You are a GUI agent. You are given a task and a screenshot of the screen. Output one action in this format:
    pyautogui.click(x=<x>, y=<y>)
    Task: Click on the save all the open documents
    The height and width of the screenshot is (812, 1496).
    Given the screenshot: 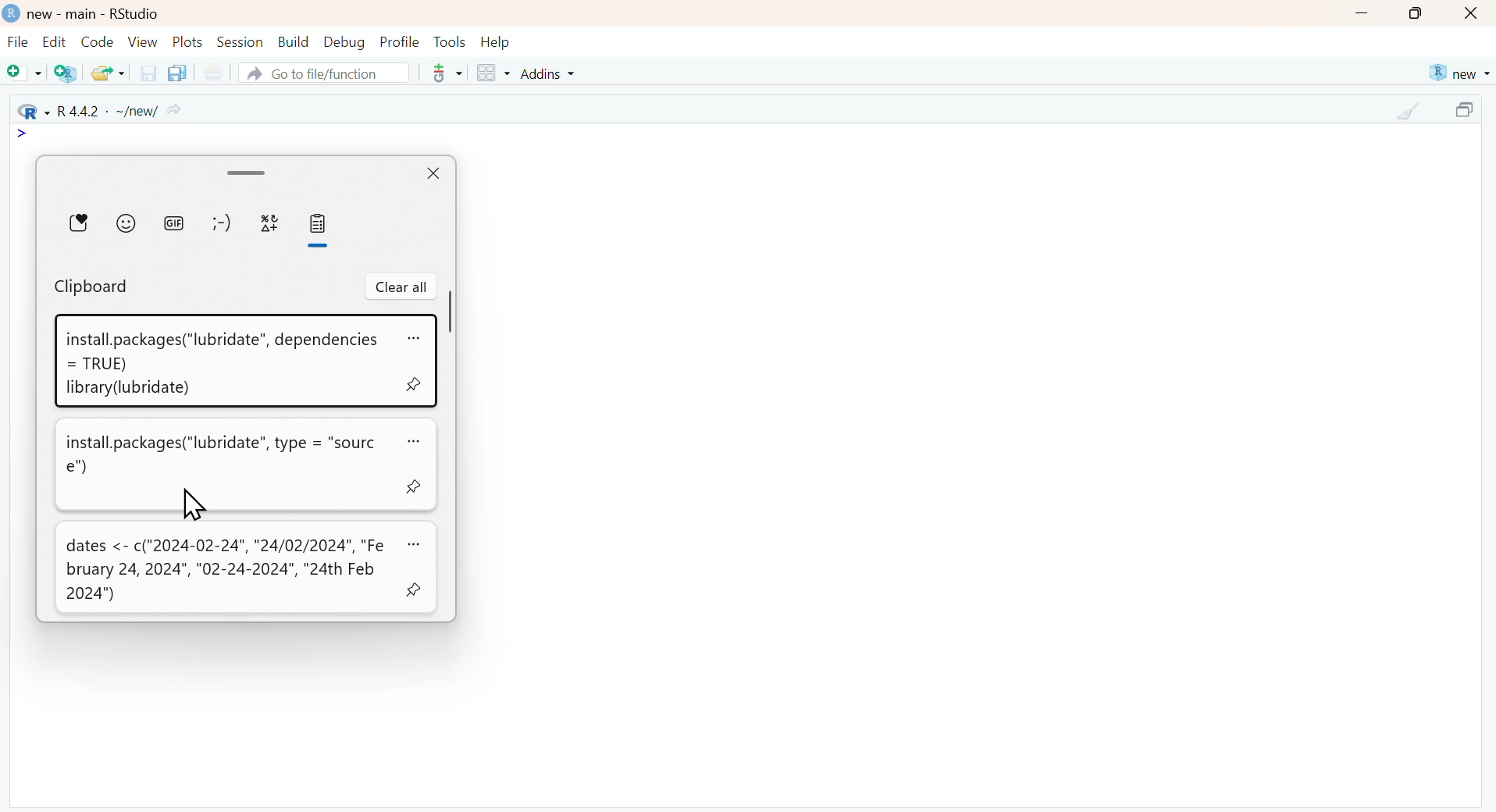 What is the action you would take?
    pyautogui.click(x=176, y=72)
    